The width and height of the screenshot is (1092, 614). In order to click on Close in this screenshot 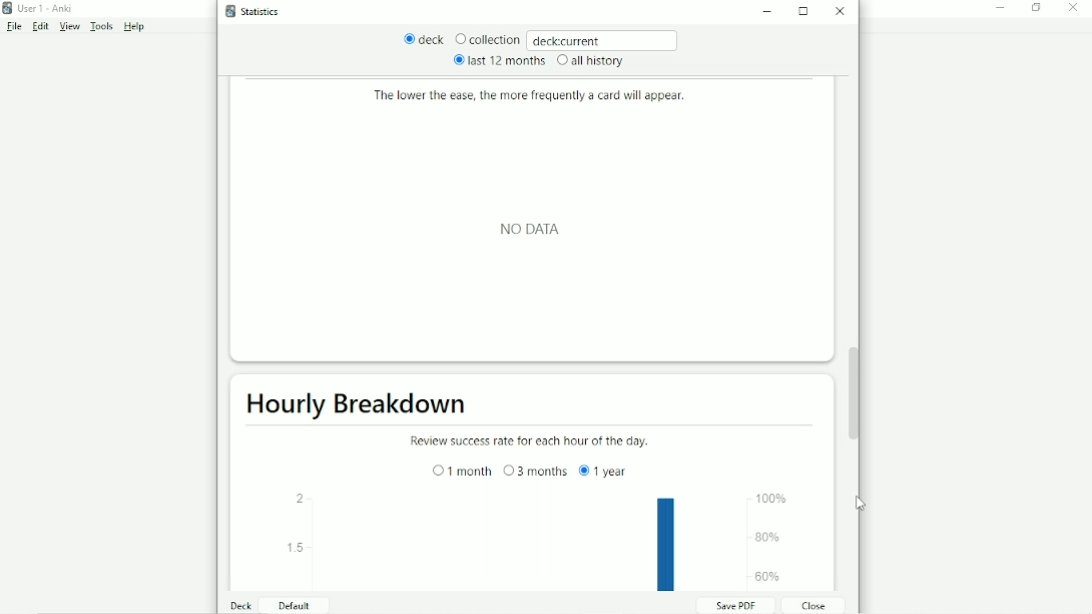, I will do `click(811, 605)`.